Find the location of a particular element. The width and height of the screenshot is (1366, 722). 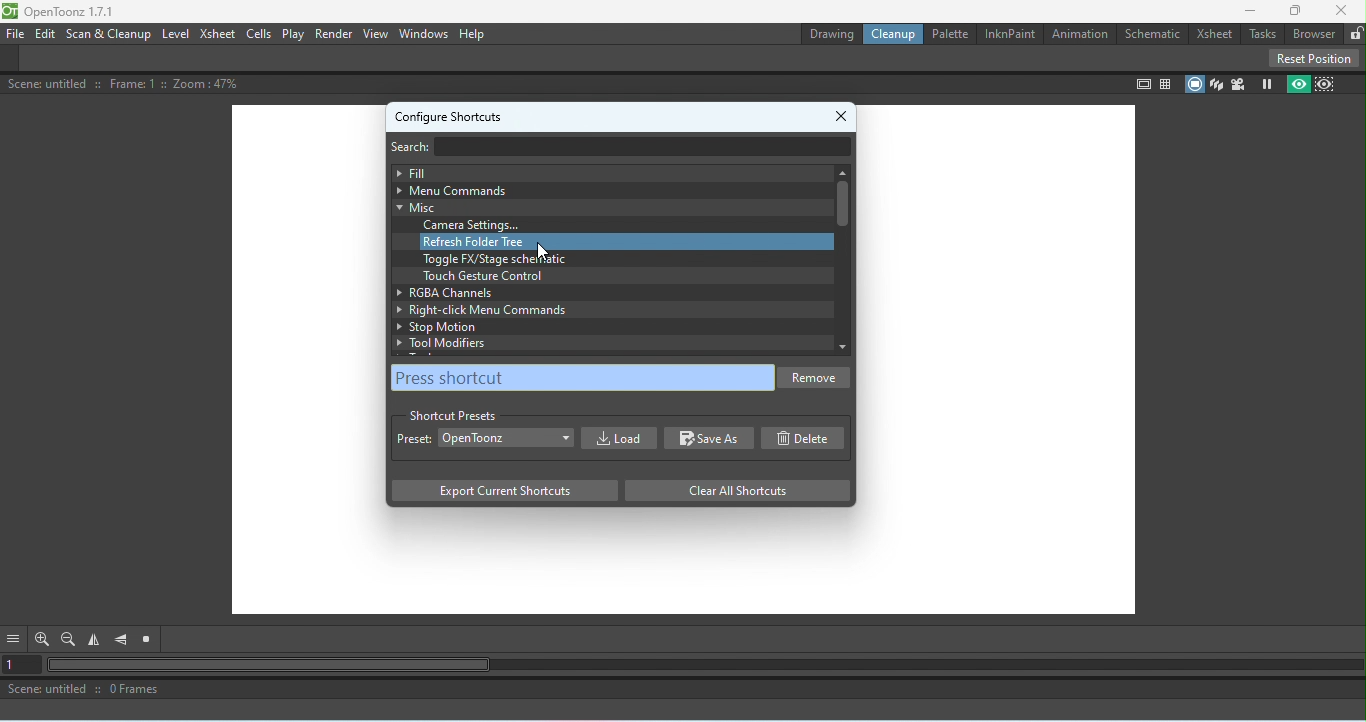

Zoom out is located at coordinates (68, 639).